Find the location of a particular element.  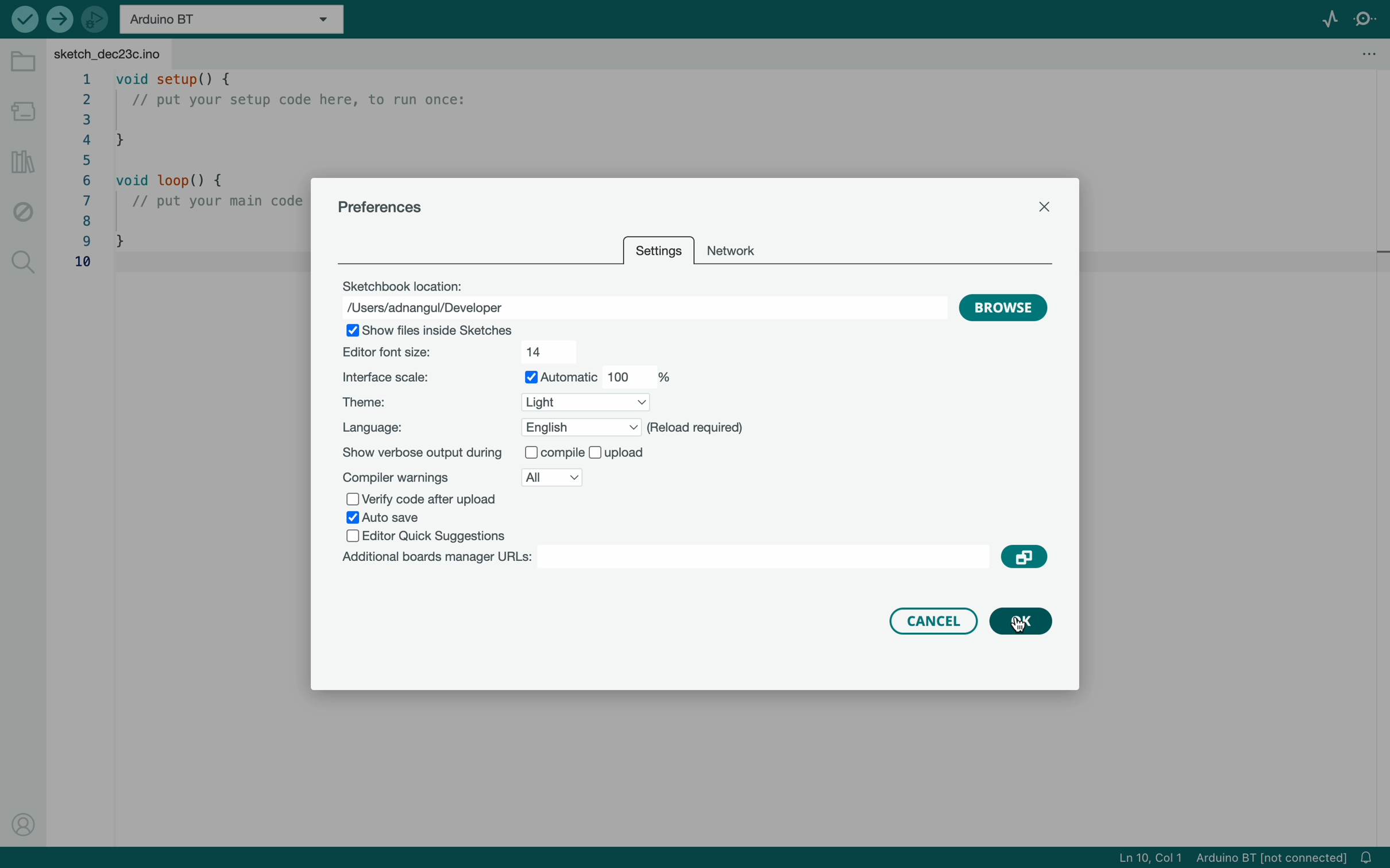

browse is located at coordinates (1010, 308).